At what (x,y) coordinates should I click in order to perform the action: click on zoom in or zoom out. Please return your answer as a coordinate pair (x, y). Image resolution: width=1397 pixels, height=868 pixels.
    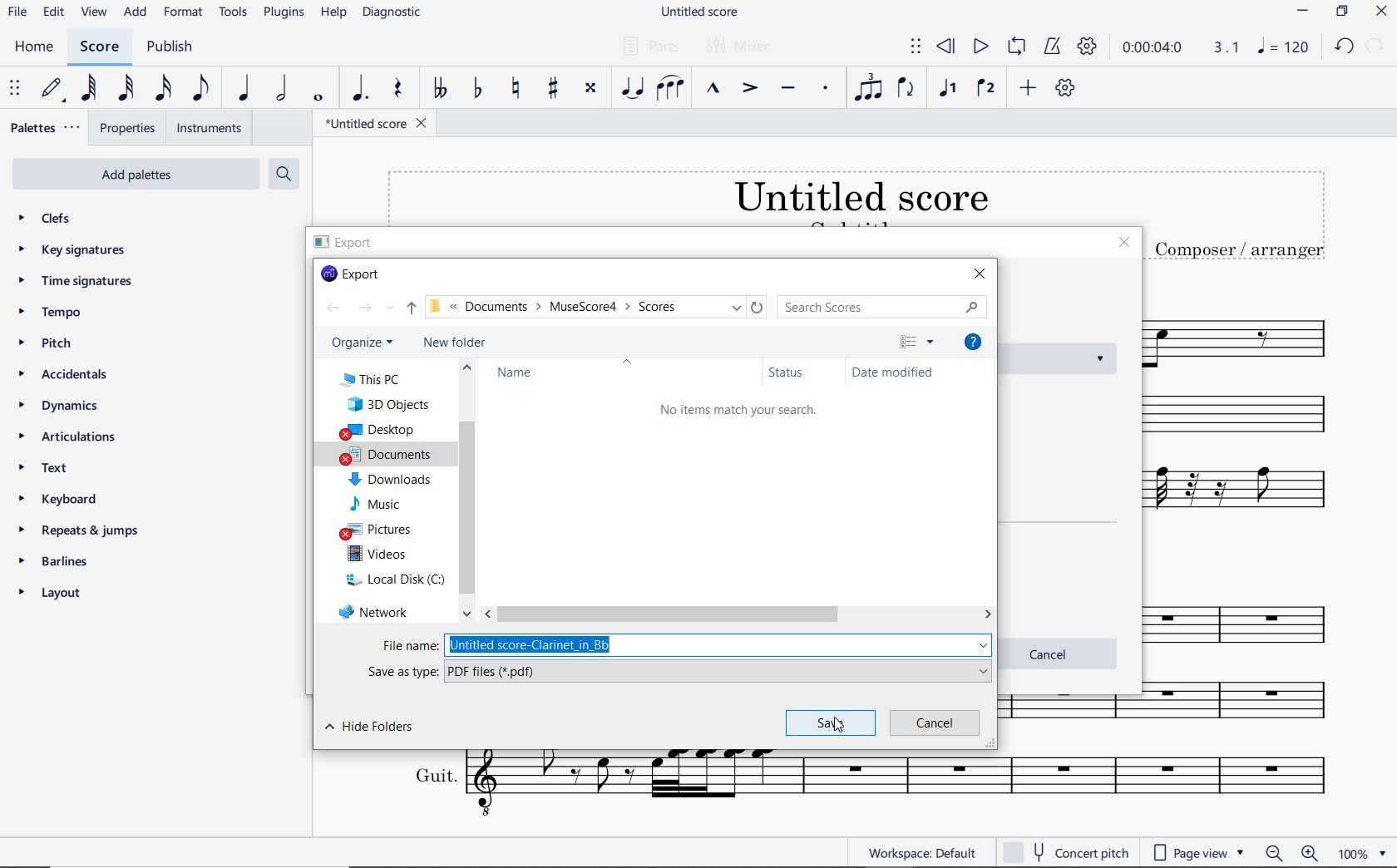
    Looking at the image, I should click on (1292, 852).